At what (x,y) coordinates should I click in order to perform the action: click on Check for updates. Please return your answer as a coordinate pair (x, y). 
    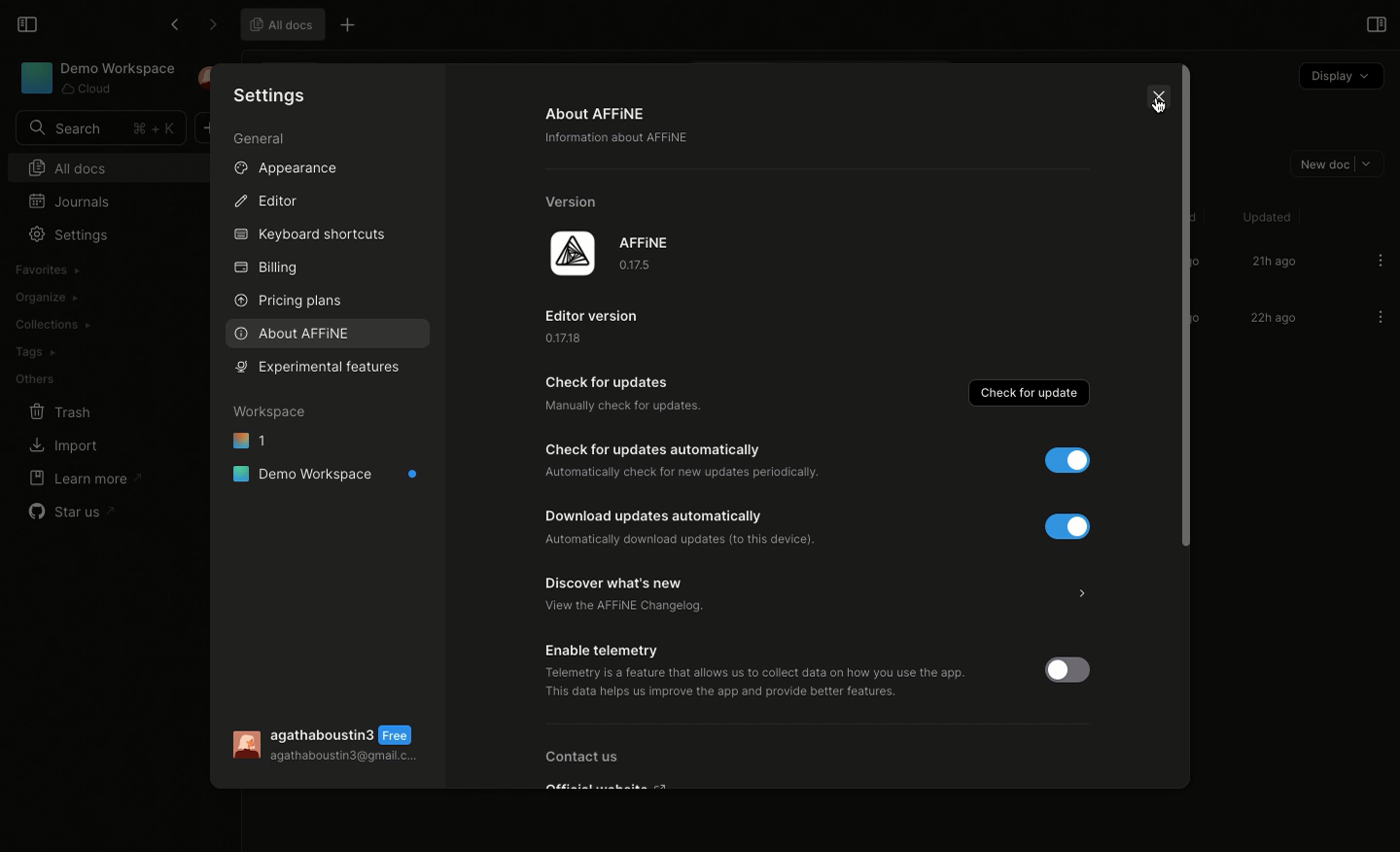
    Looking at the image, I should click on (625, 398).